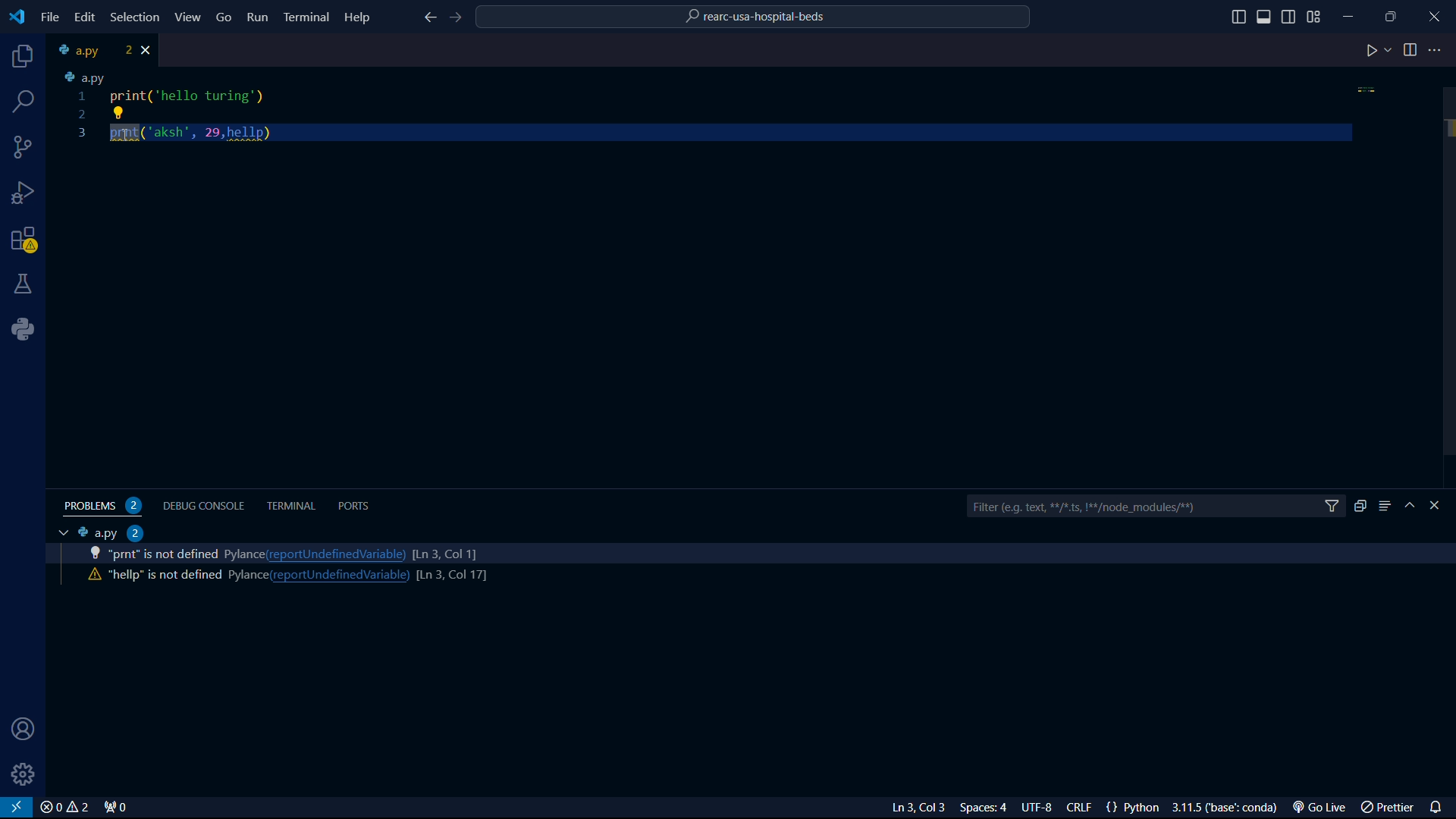 This screenshot has width=1456, height=819. I want to click on Help, so click(361, 16).